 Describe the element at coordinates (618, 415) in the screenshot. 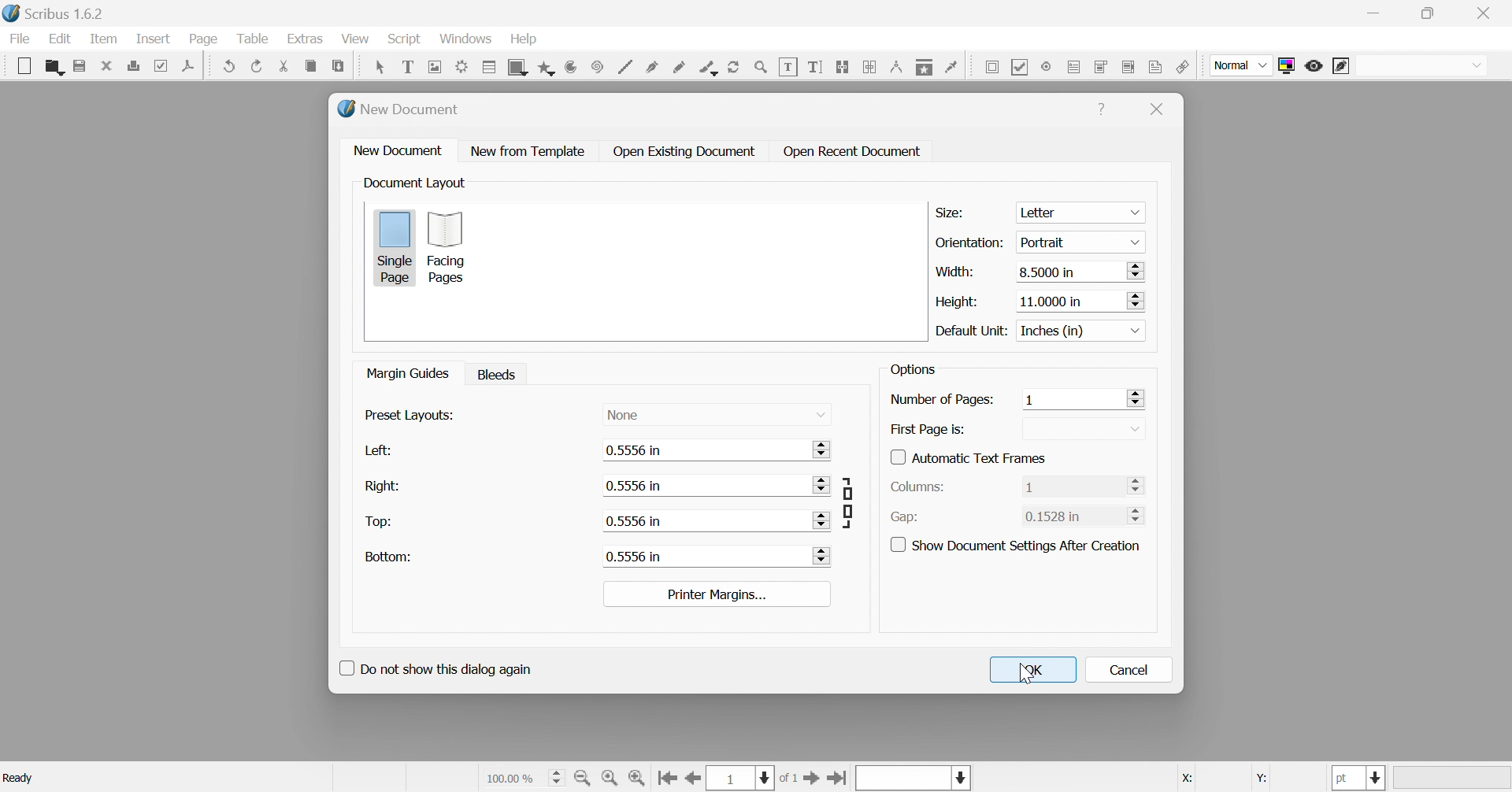

I see `none` at that location.